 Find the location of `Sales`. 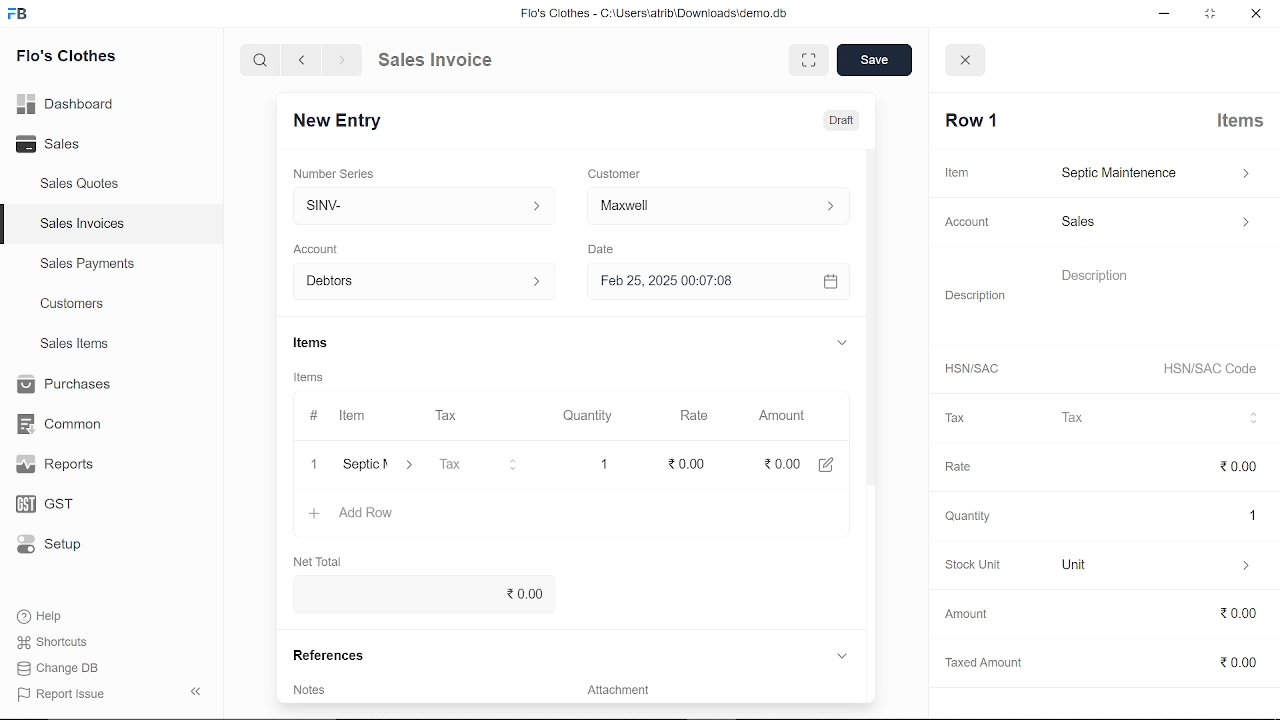

Sales is located at coordinates (57, 142).